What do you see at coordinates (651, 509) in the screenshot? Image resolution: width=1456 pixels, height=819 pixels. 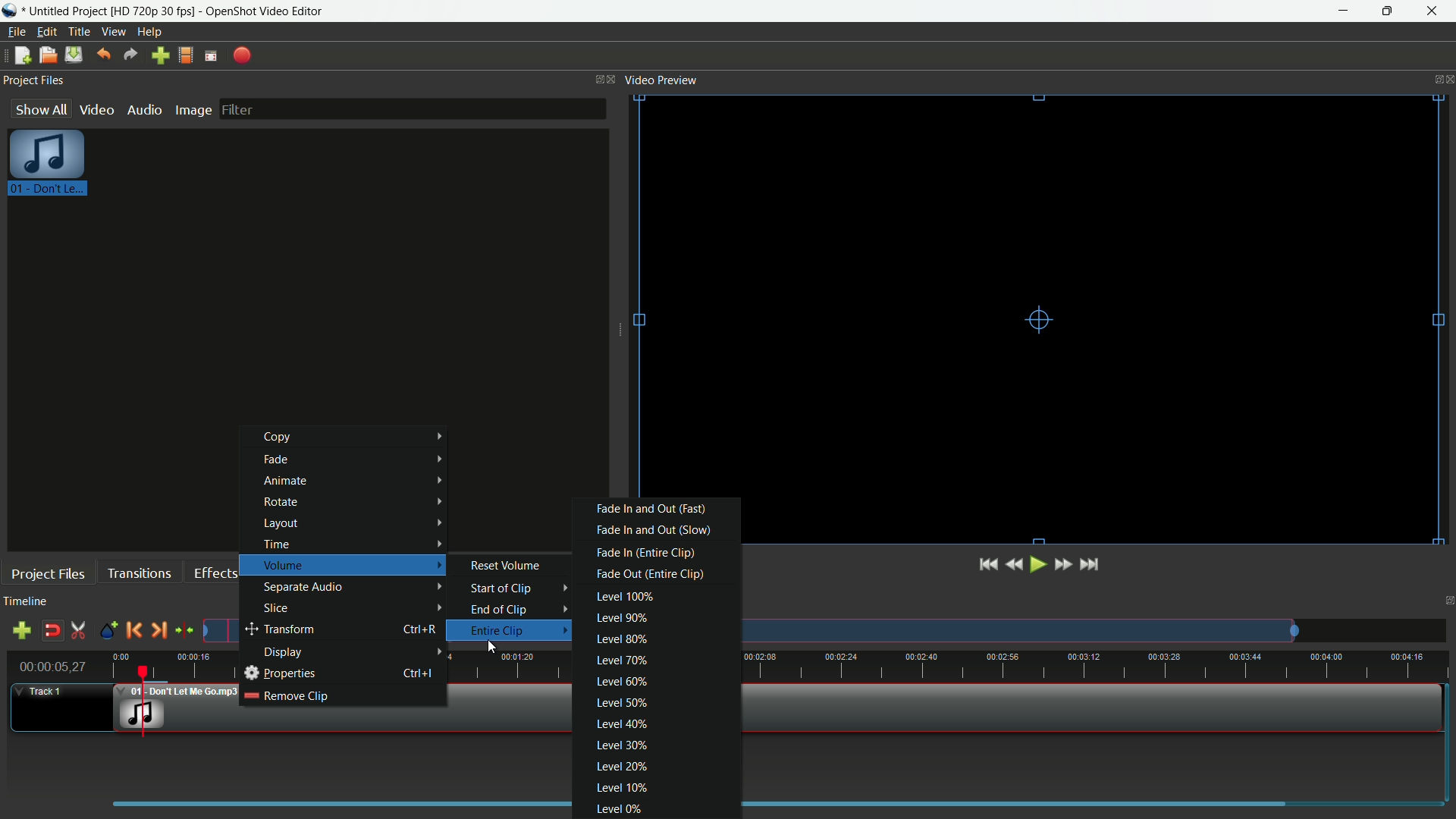 I see `fade in and out fast` at bounding box center [651, 509].